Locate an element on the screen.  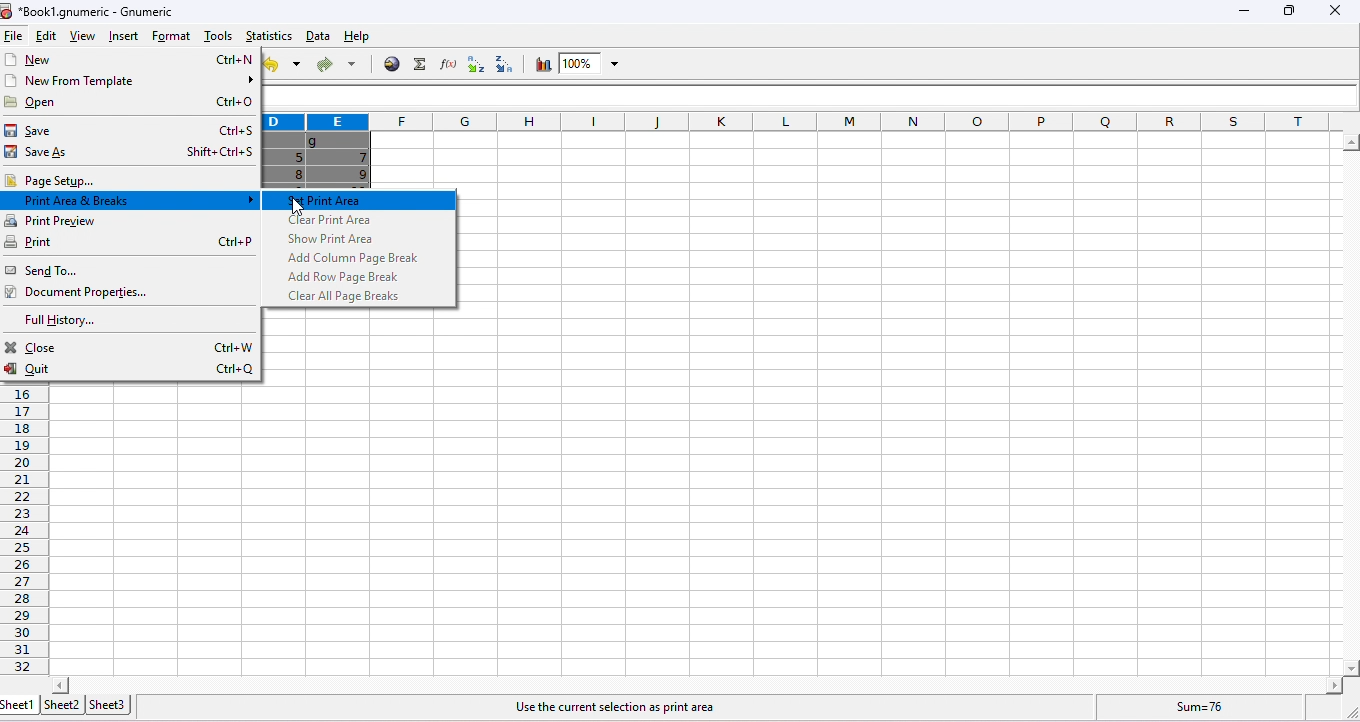
view is located at coordinates (80, 38).